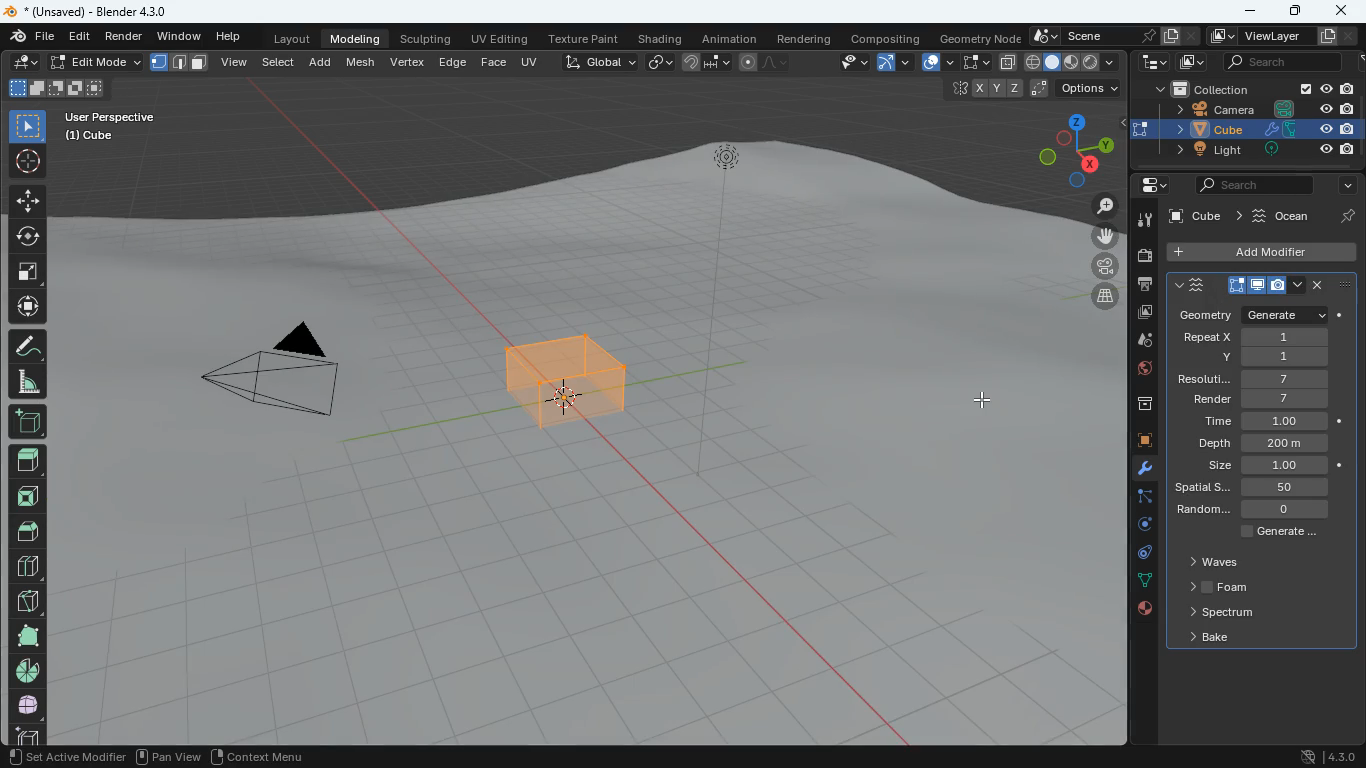 The height and width of the screenshot is (768, 1366). Describe the element at coordinates (1247, 109) in the screenshot. I see `camera` at that location.